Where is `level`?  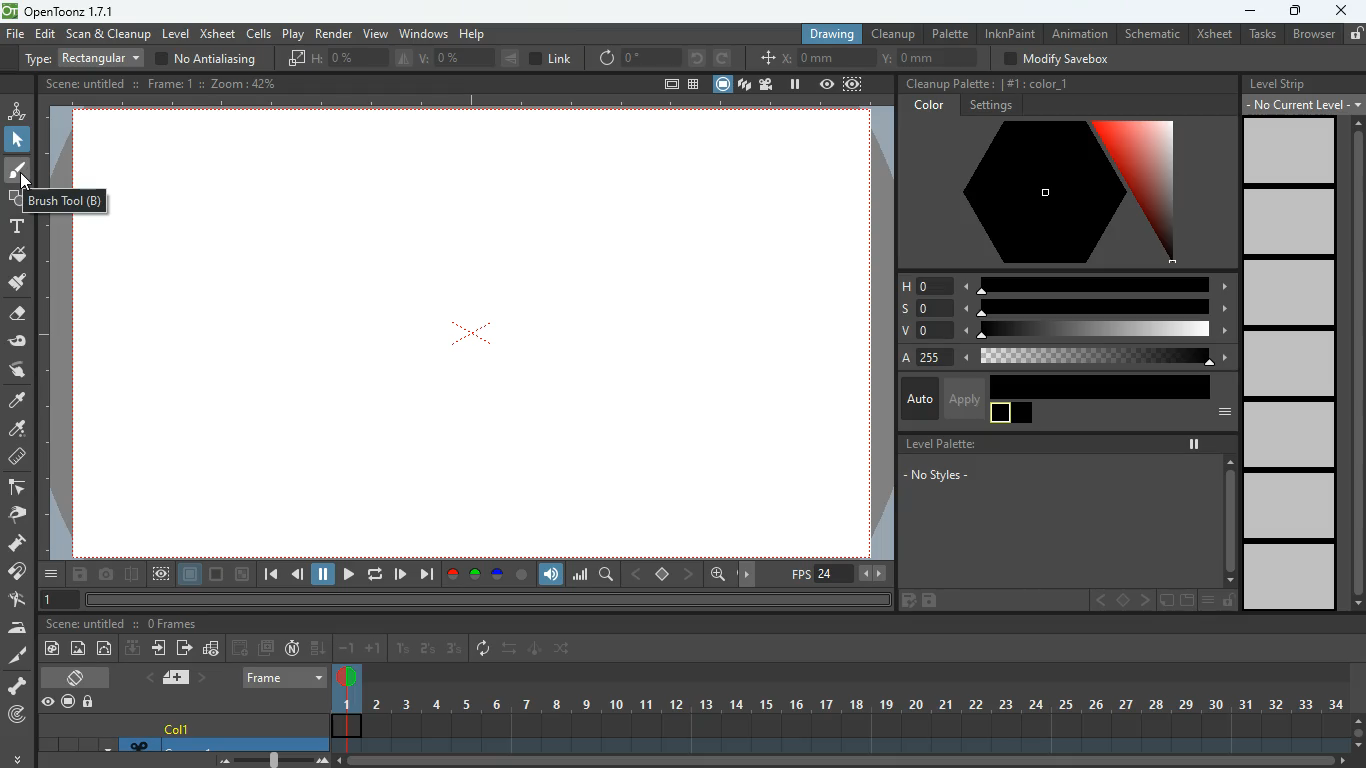
level is located at coordinates (1291, 506).